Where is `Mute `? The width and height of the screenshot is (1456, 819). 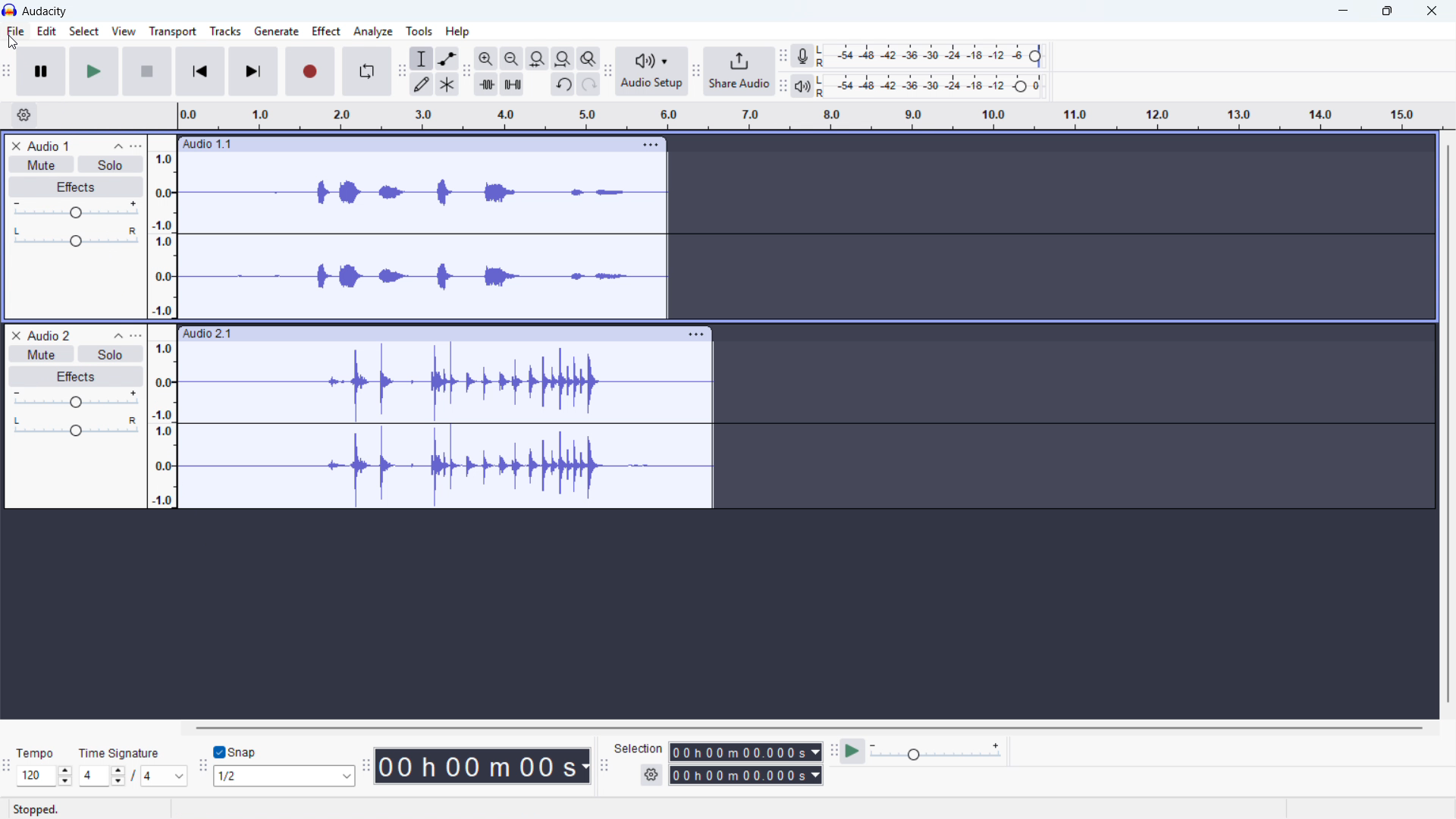
Mute  is located at coordinates (42, 165).